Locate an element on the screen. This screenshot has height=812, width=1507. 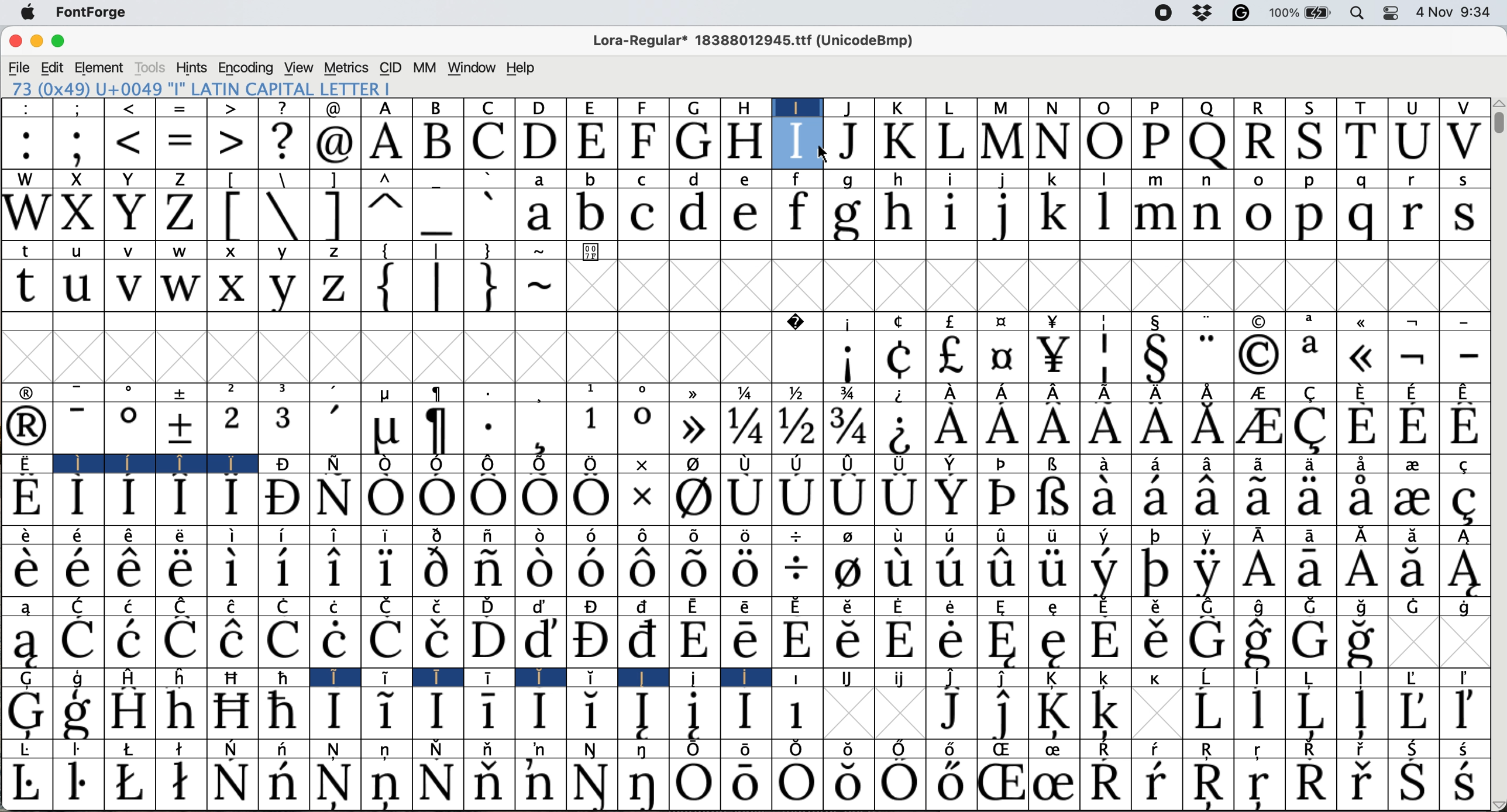
Symbol is located at coordinates (1466, 570).